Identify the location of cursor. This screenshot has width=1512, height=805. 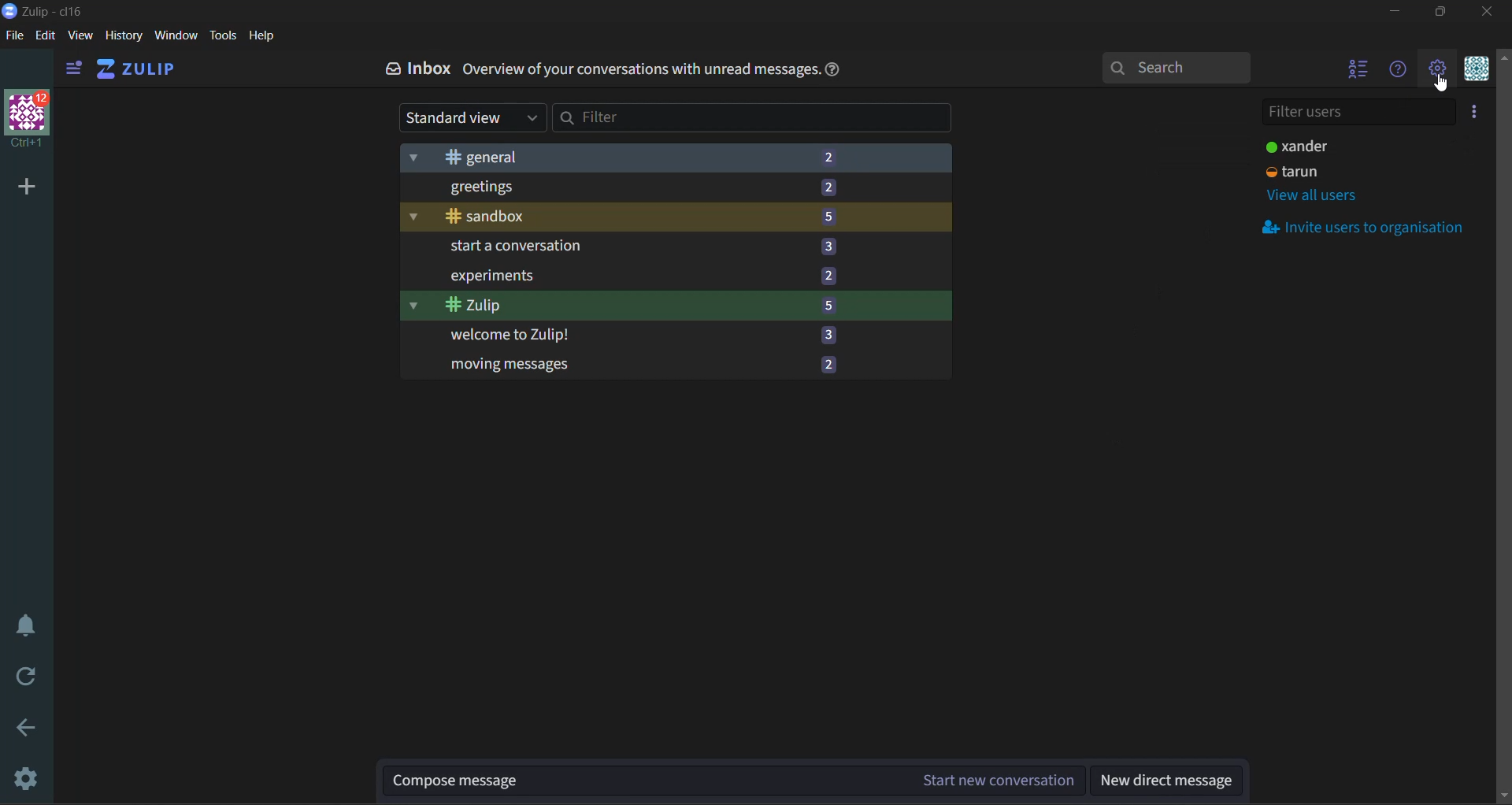
(1444, 87).